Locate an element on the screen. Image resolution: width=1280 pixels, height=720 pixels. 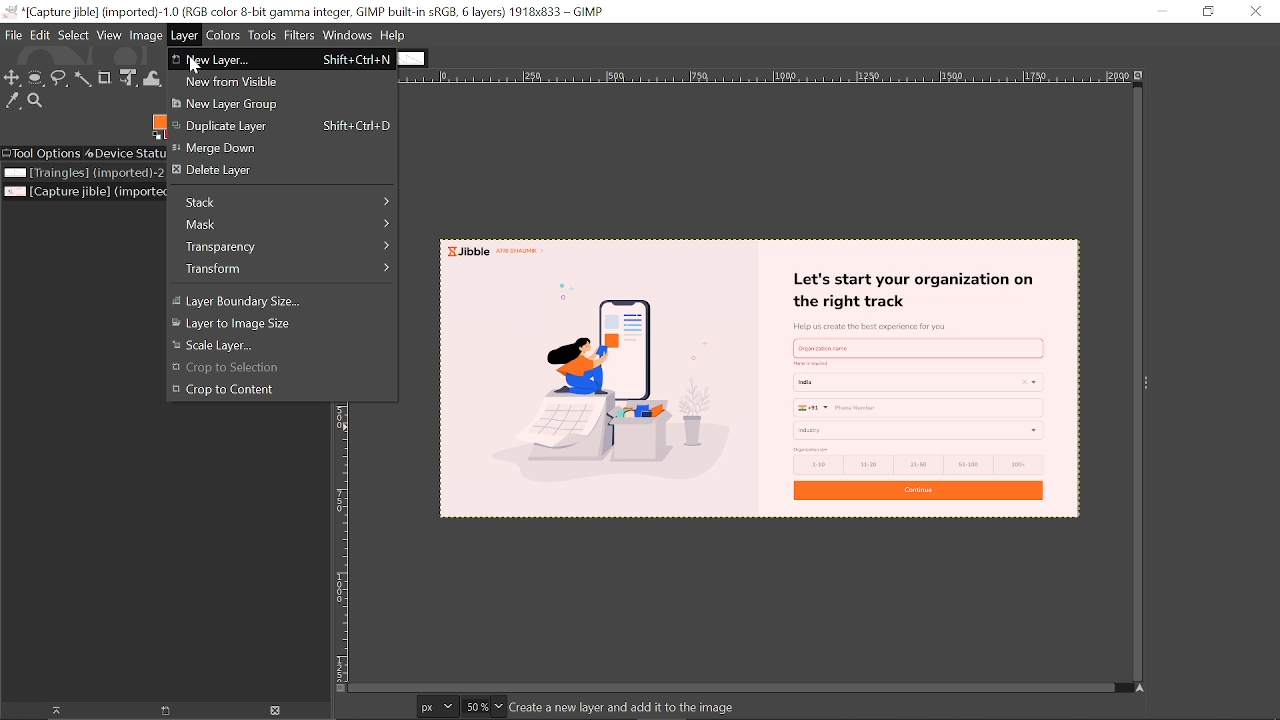
create a new layer and add it to the image is located at coordinates (635, 705).